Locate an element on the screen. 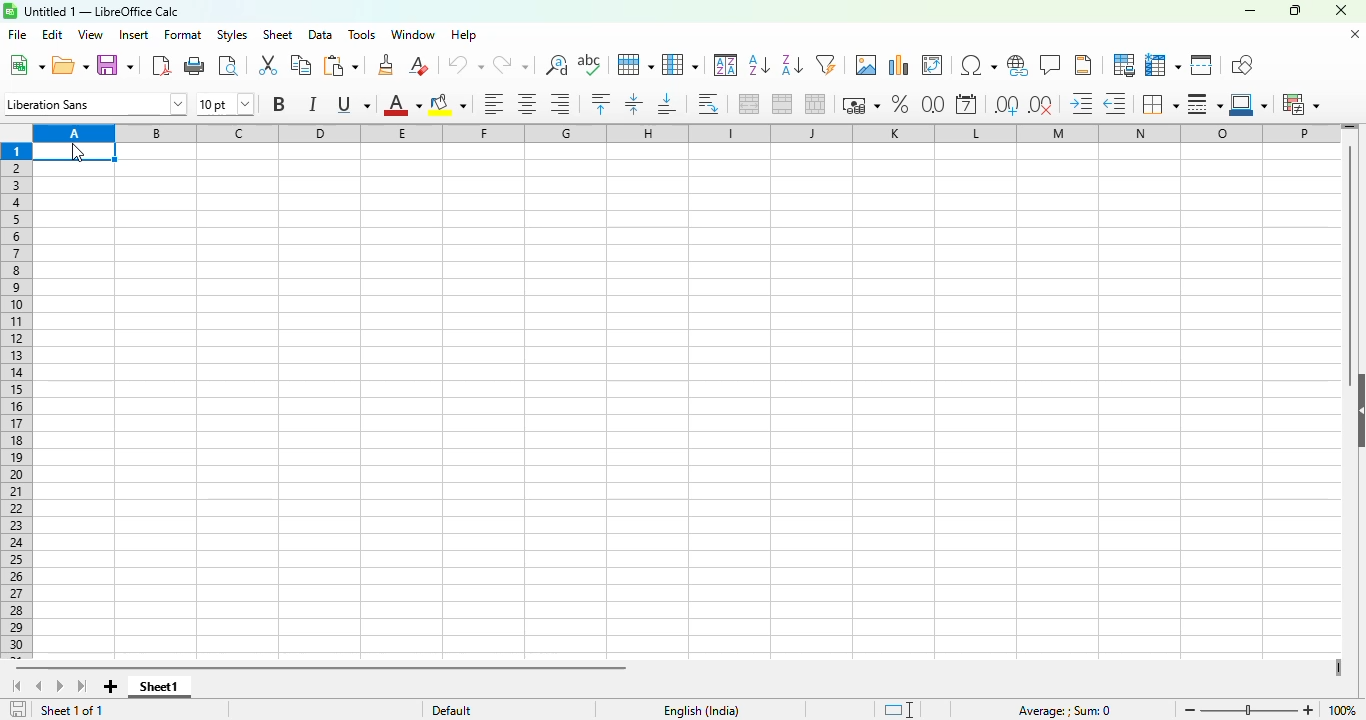  typing =TODAY() is located at coordinates (50, 151).